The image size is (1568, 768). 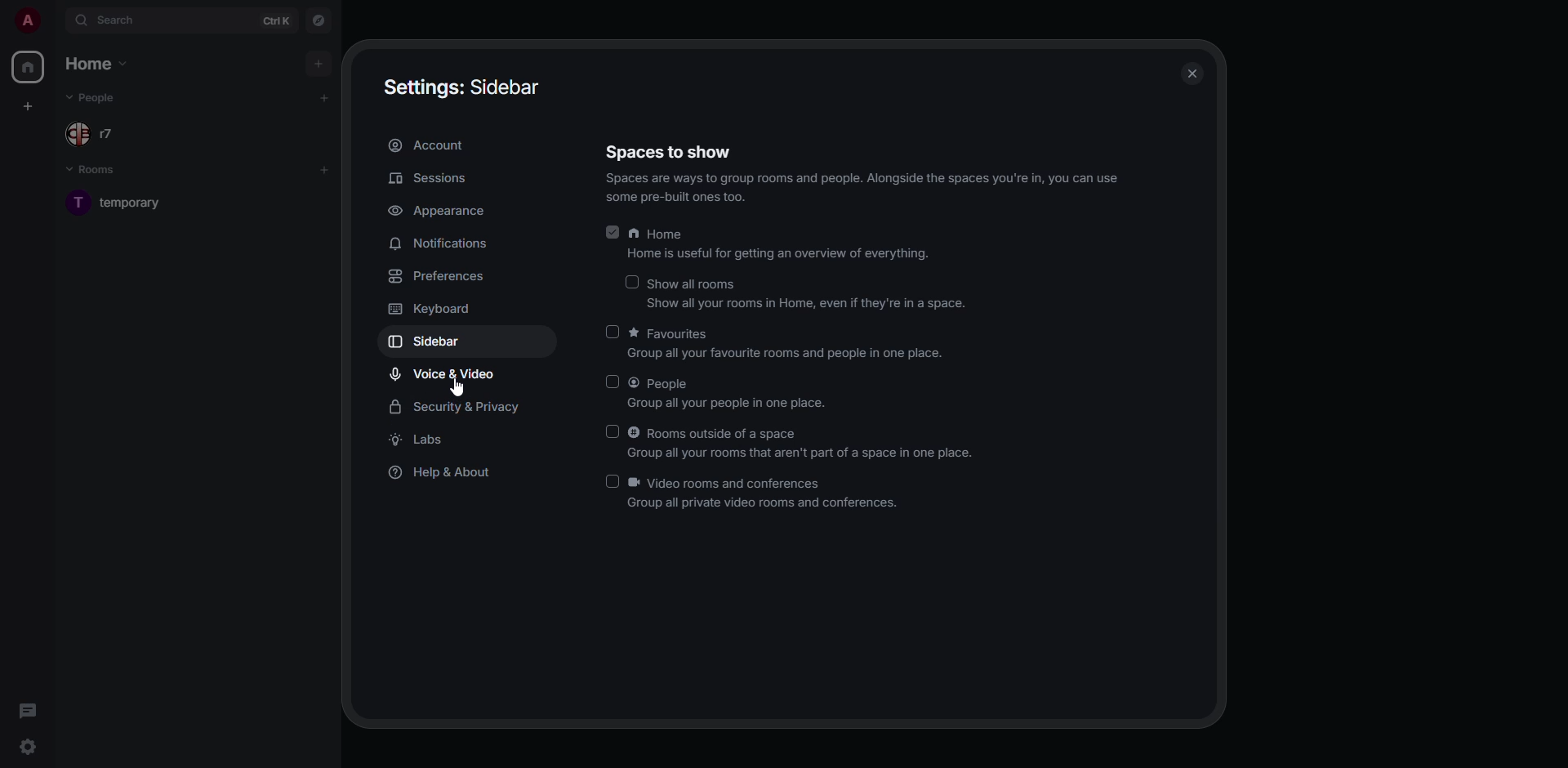 What do you see at coordinates (444, 374) in the screenshot?
I see `voice & video` at bounding box center [444, 374].